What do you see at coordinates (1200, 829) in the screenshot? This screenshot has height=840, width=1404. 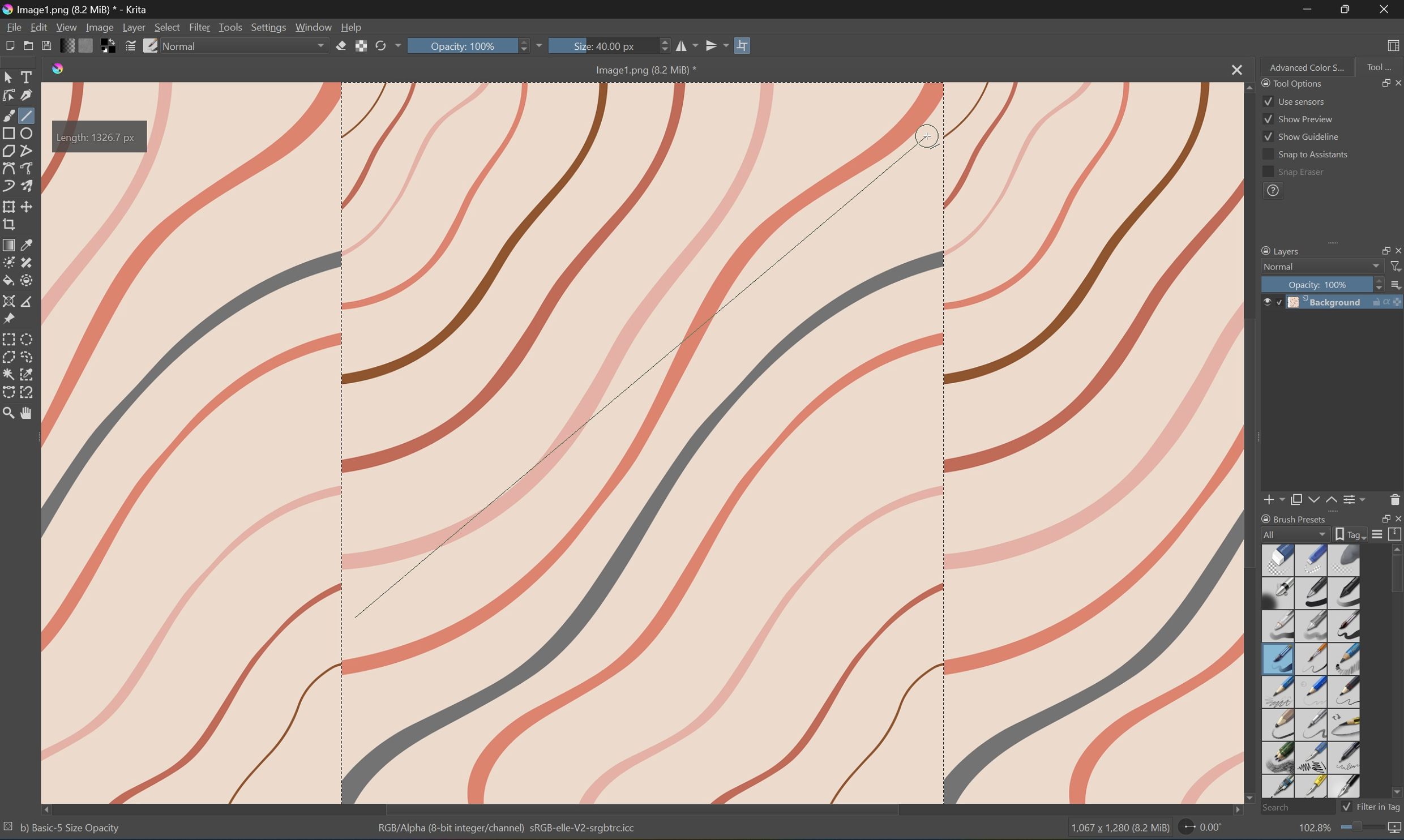 I see `0.00°` at bounding box center [1200, 829].